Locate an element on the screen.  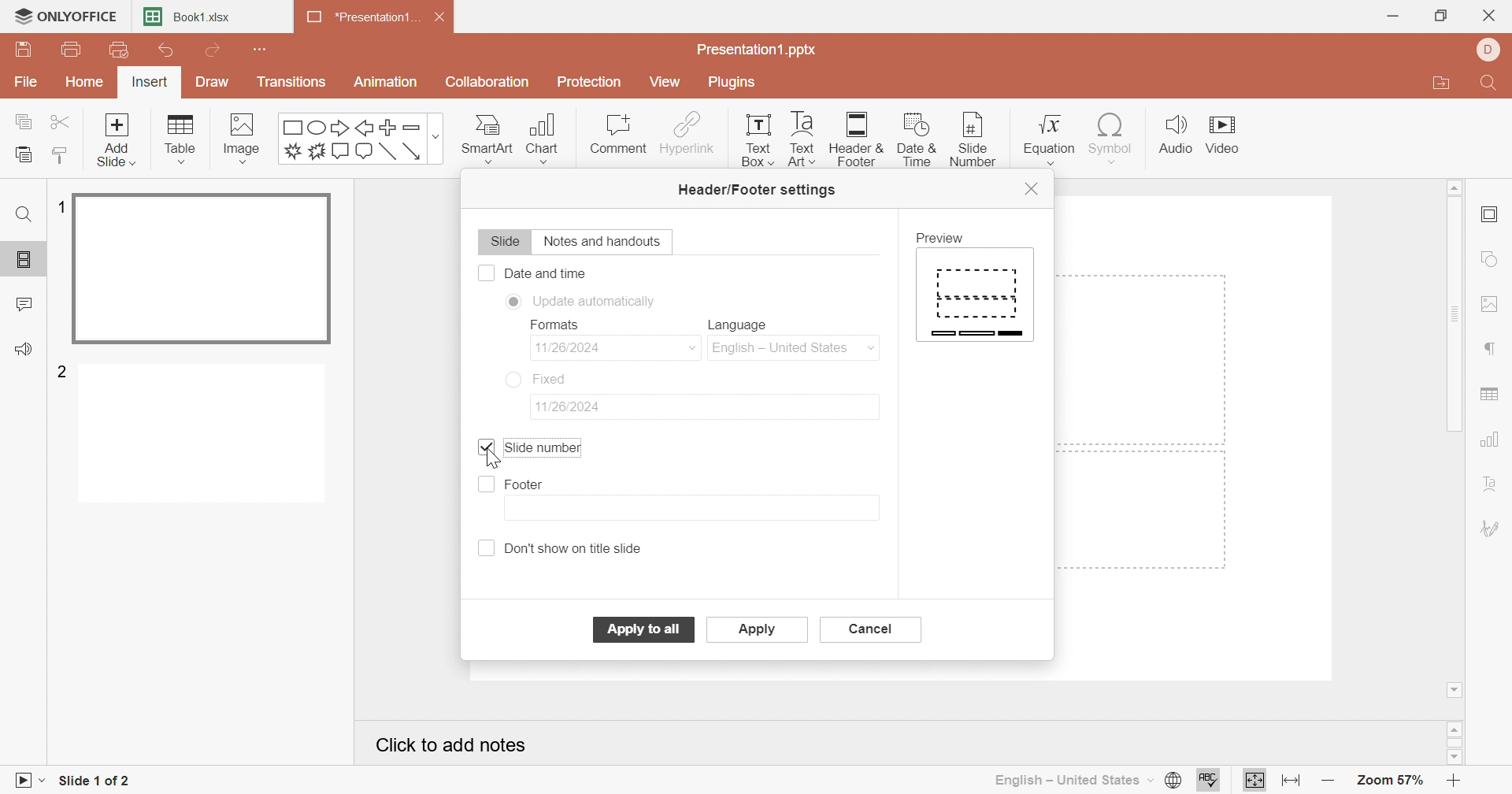
Close is located at coordinates (1492, 17).